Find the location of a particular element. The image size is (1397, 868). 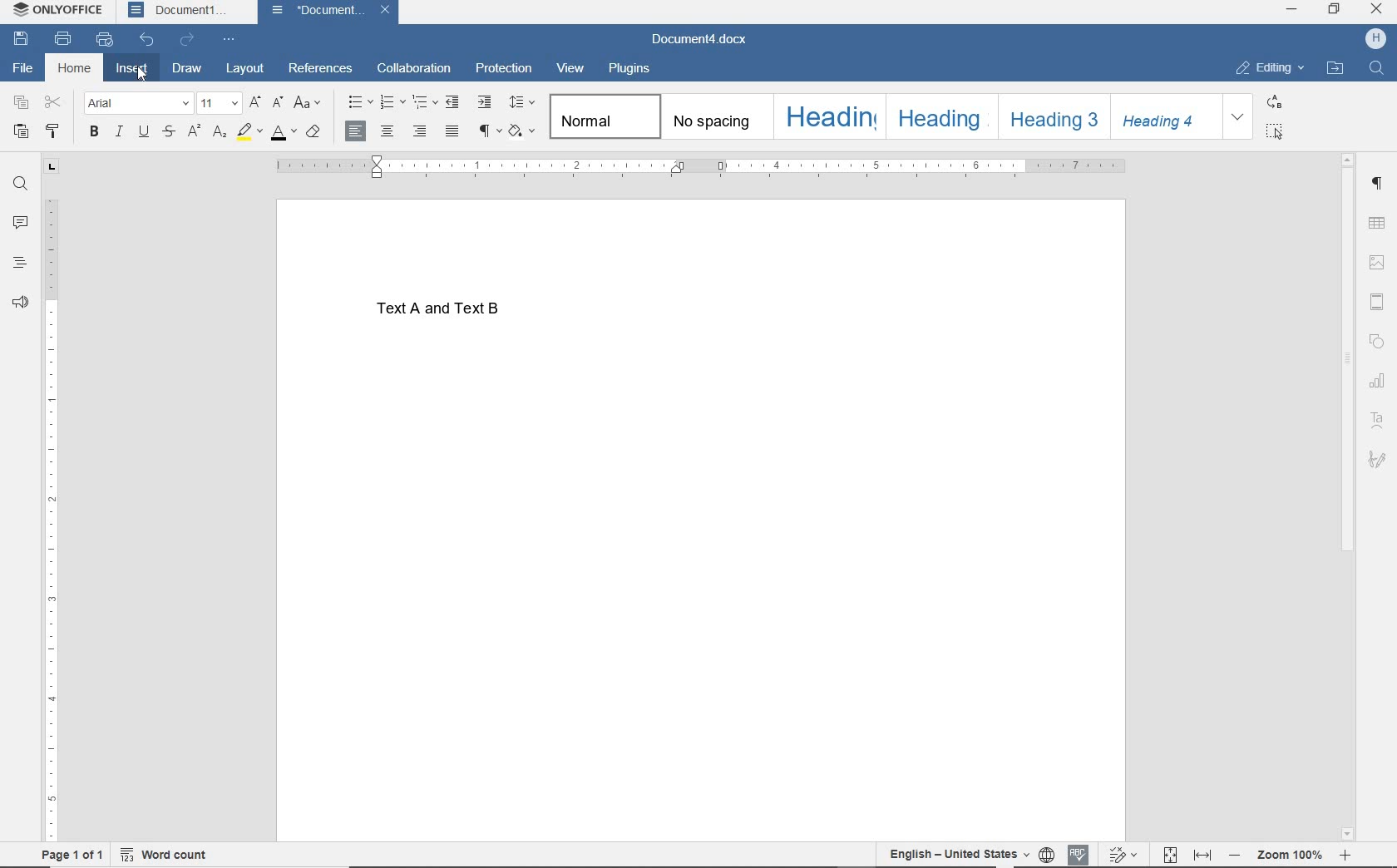

NONPRINTING CHARACTERS is located at coordinates (488, 133).